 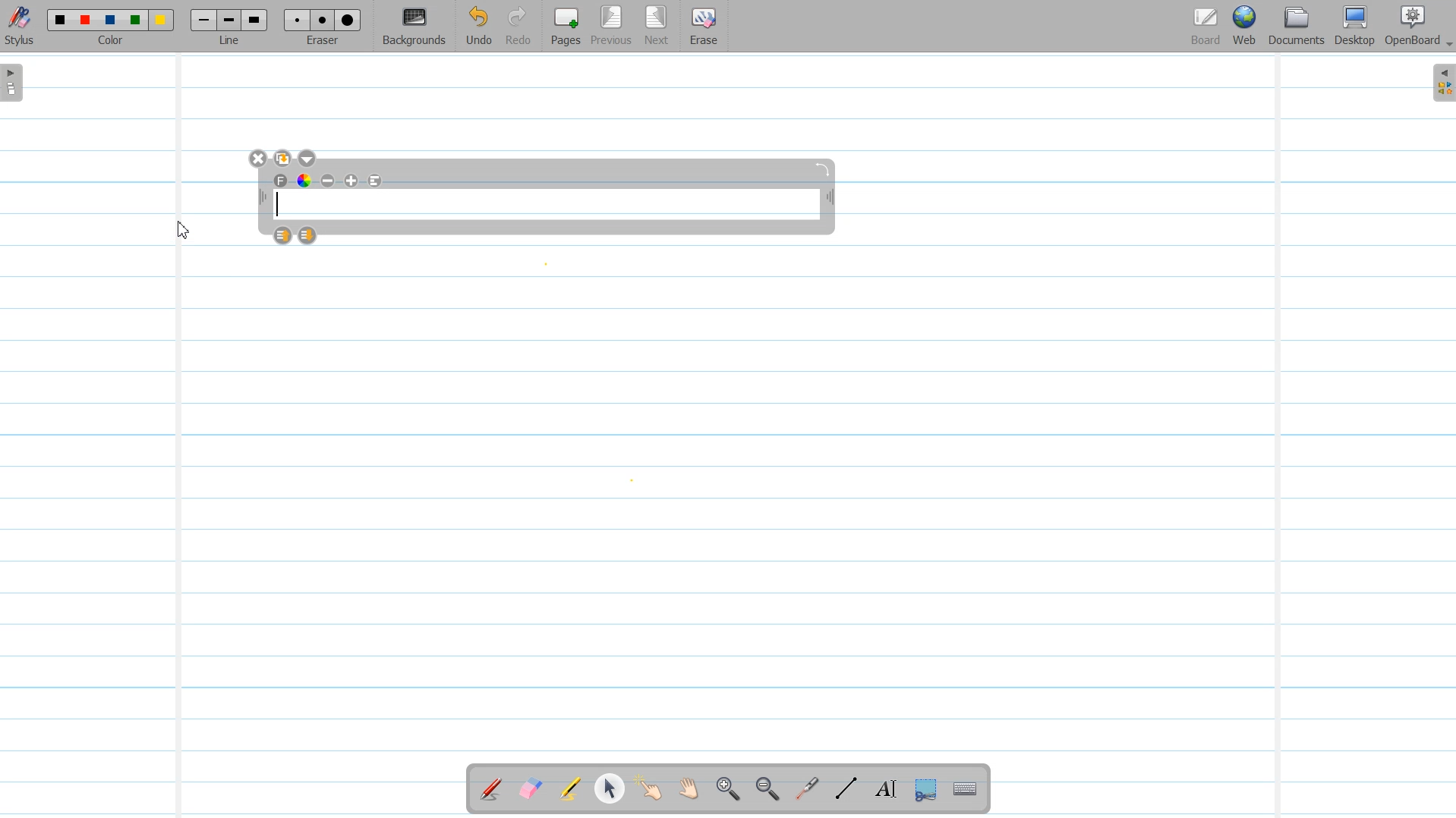 What do you see at coordinates (376, 181) in the screenshot?
I see `Align to left text` at bounding box center [376, 181].